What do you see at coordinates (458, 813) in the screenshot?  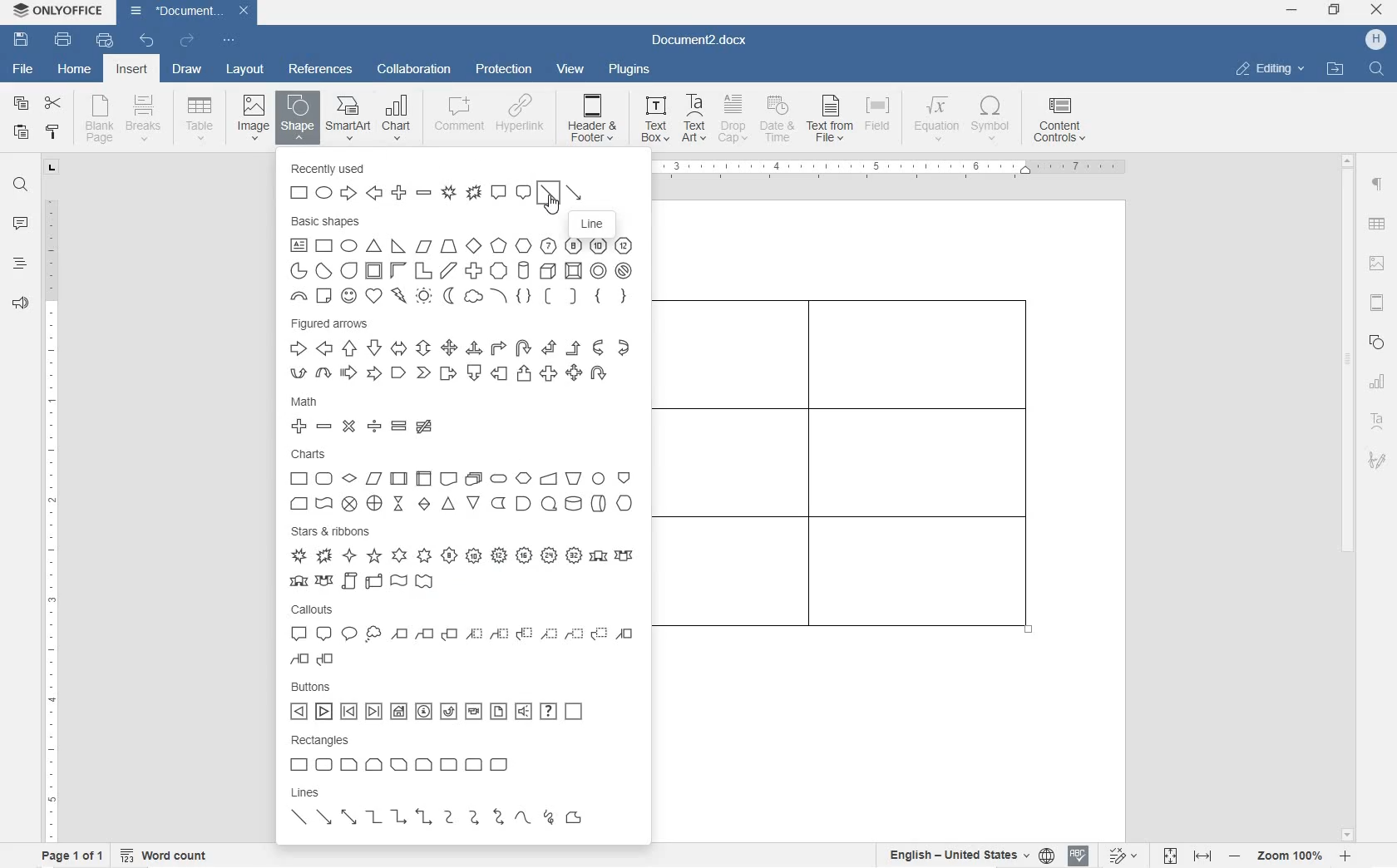 I see `lines` at bounding box center [458, 813].